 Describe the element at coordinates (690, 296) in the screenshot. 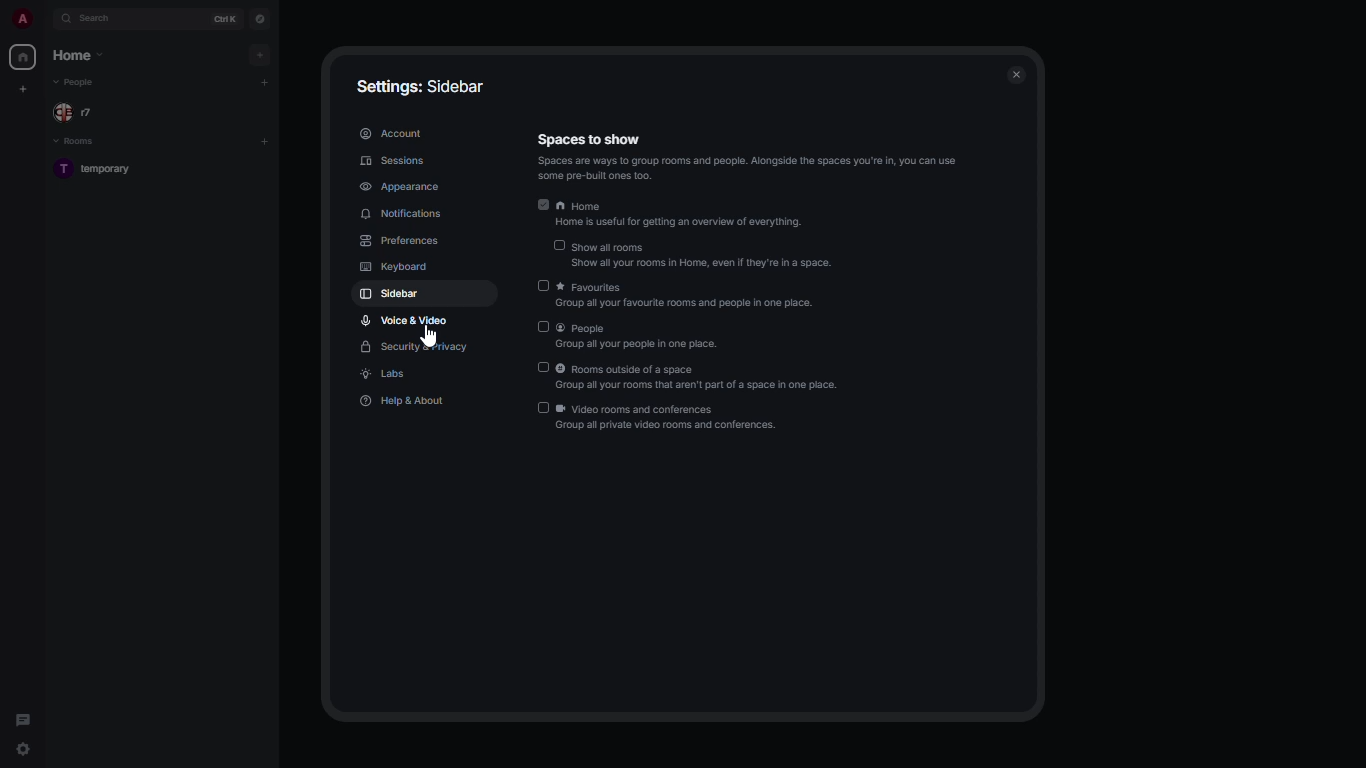

I see `favorites` at that location.